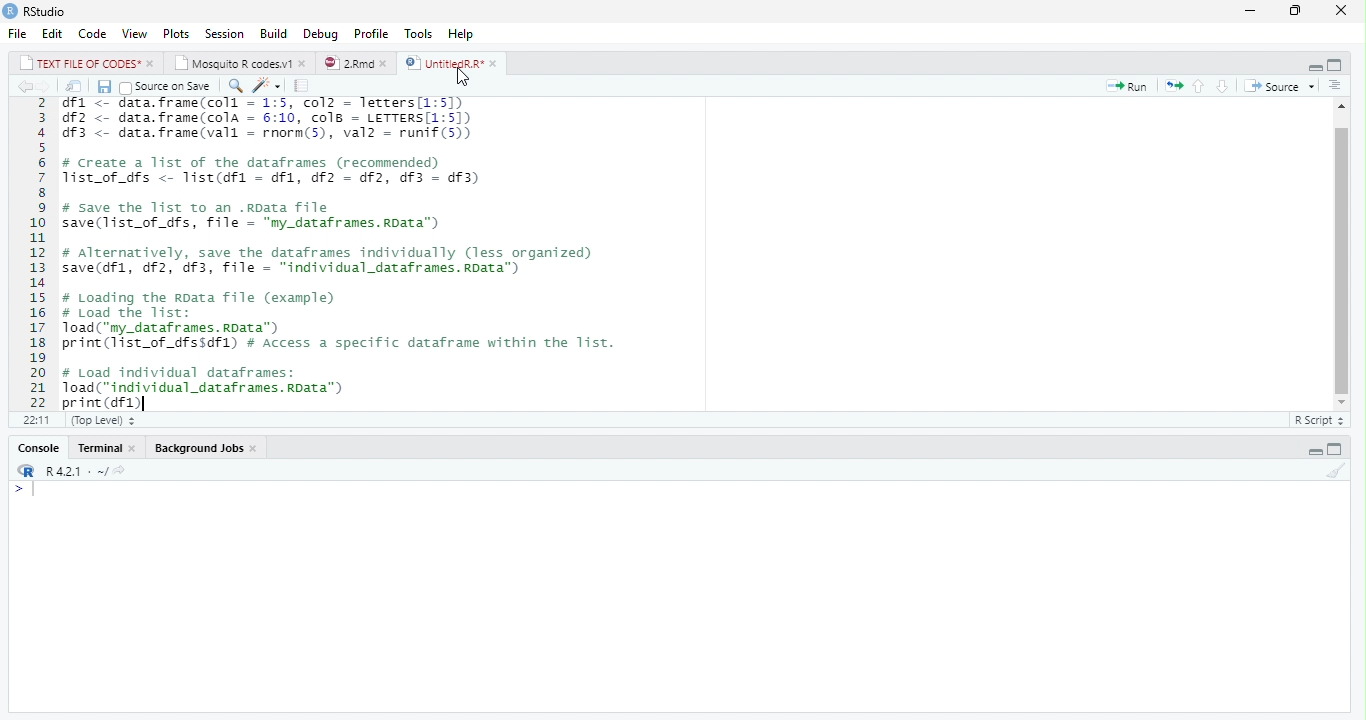 This screenshot has height=720, width=1366. What do you see at coordinates (22, 86) in the screenshot?
I see `Go to previous location` at bounding box center [22, 86].